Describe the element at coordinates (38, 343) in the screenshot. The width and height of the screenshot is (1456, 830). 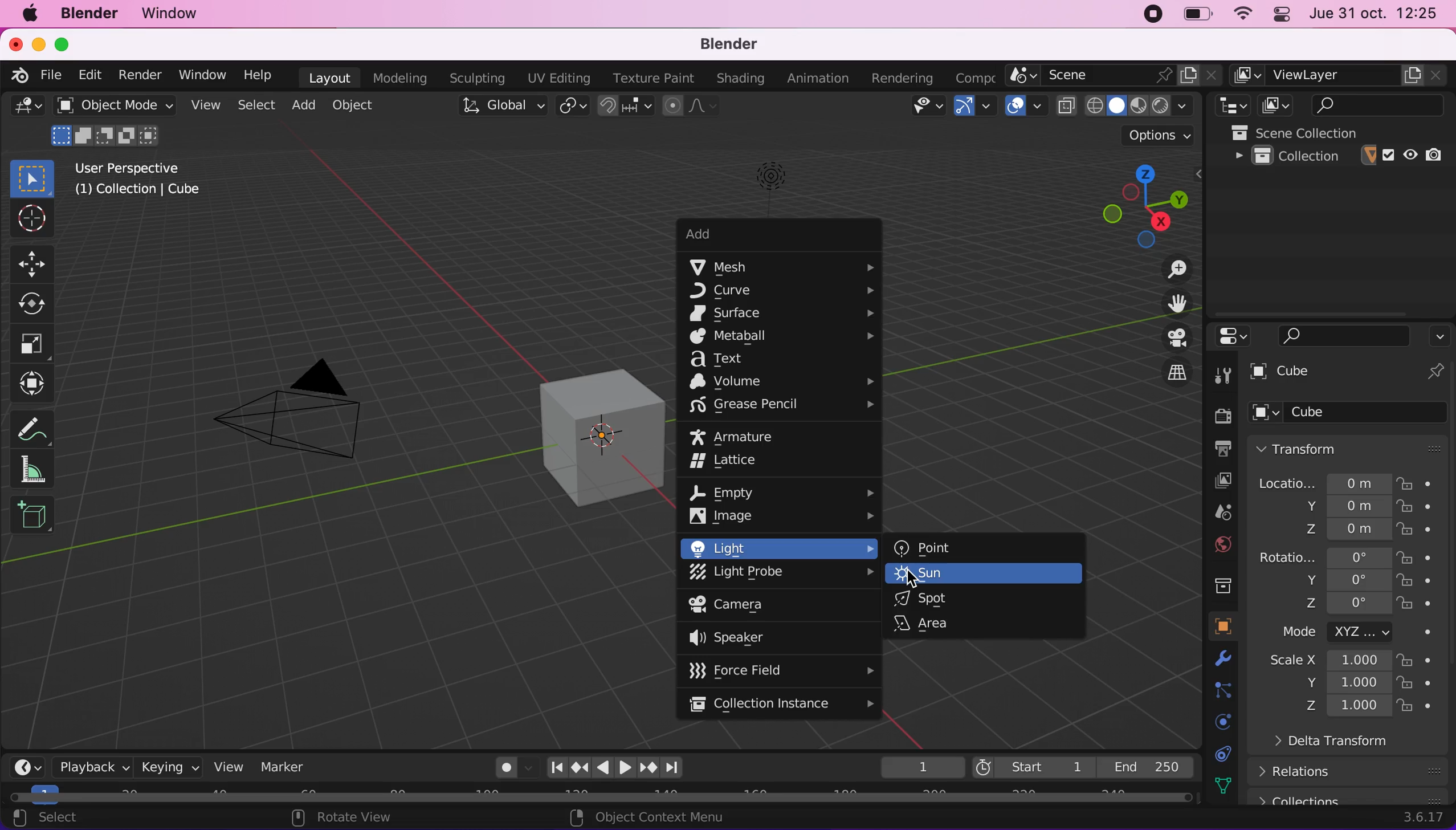
I see `scale` at that location.